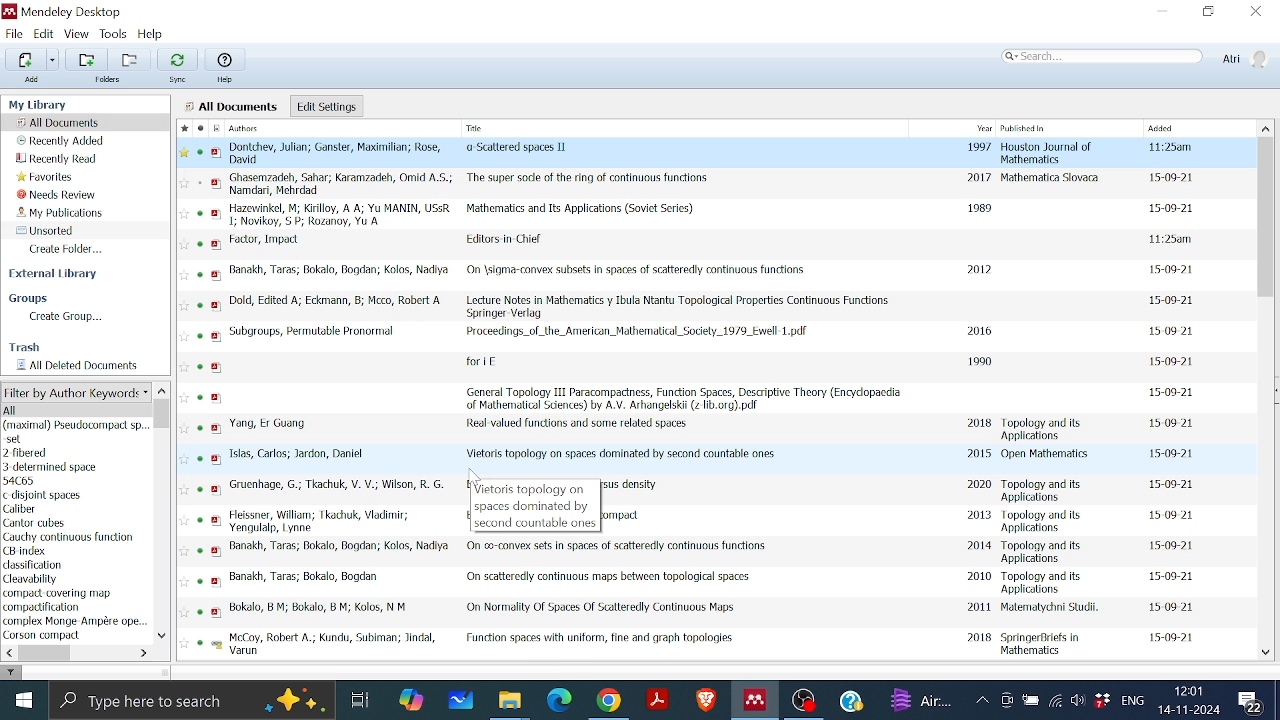 This screenshot has height=720, width=1280. What do you see at coordinates (460, 701) in the screenshot?
I see `Whiteboard` at bounding box center [460, 701].